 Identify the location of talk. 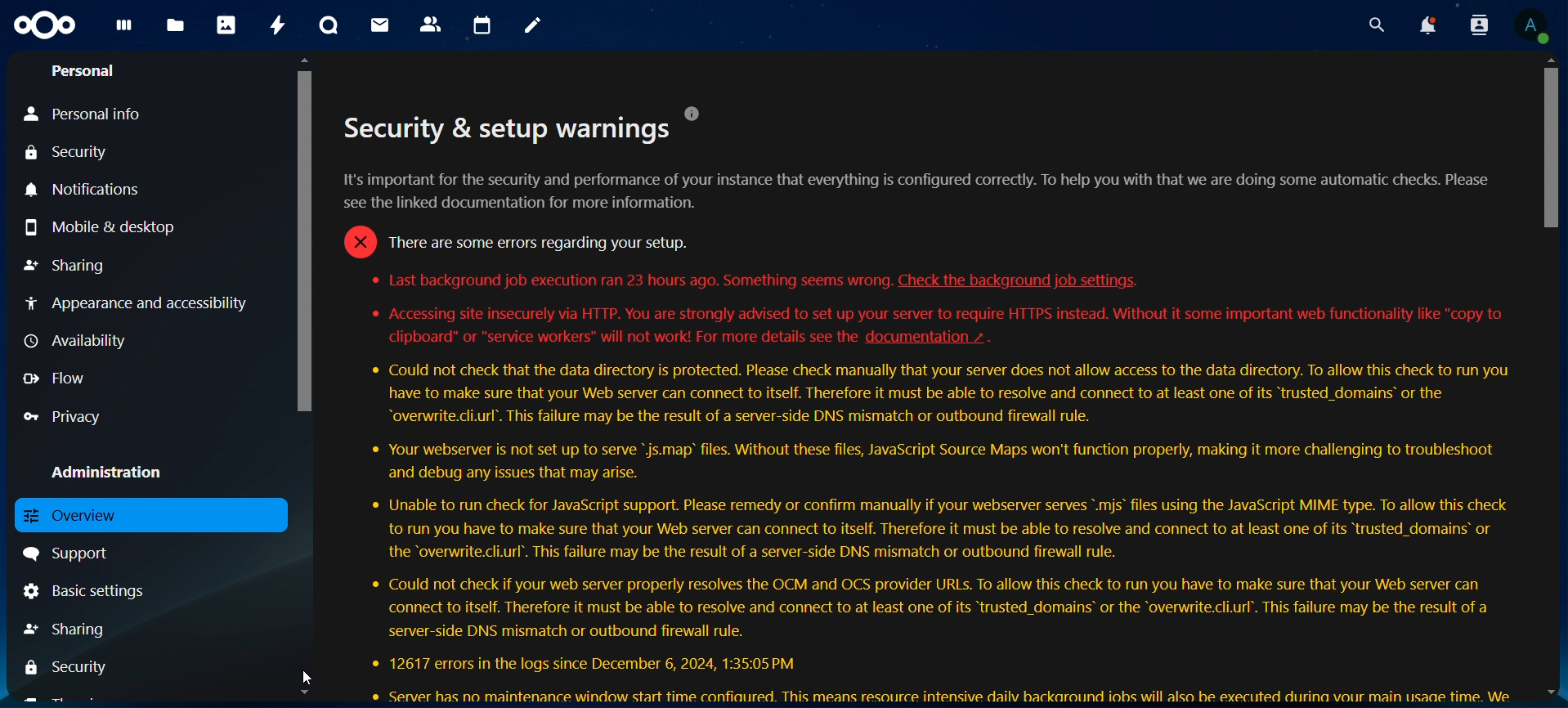
(329, 25).